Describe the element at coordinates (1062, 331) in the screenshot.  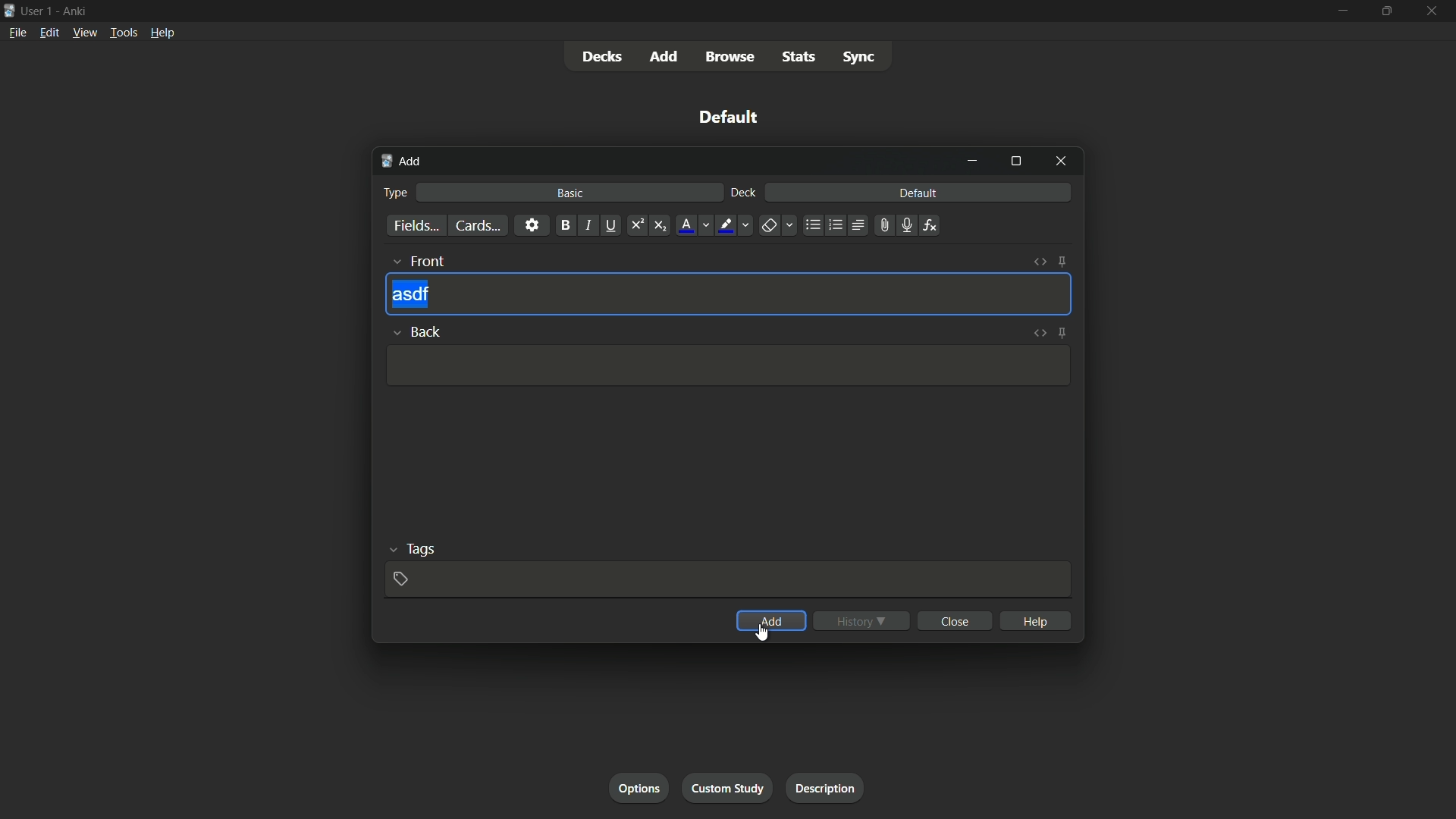
I see `toggle sticky` at that location.